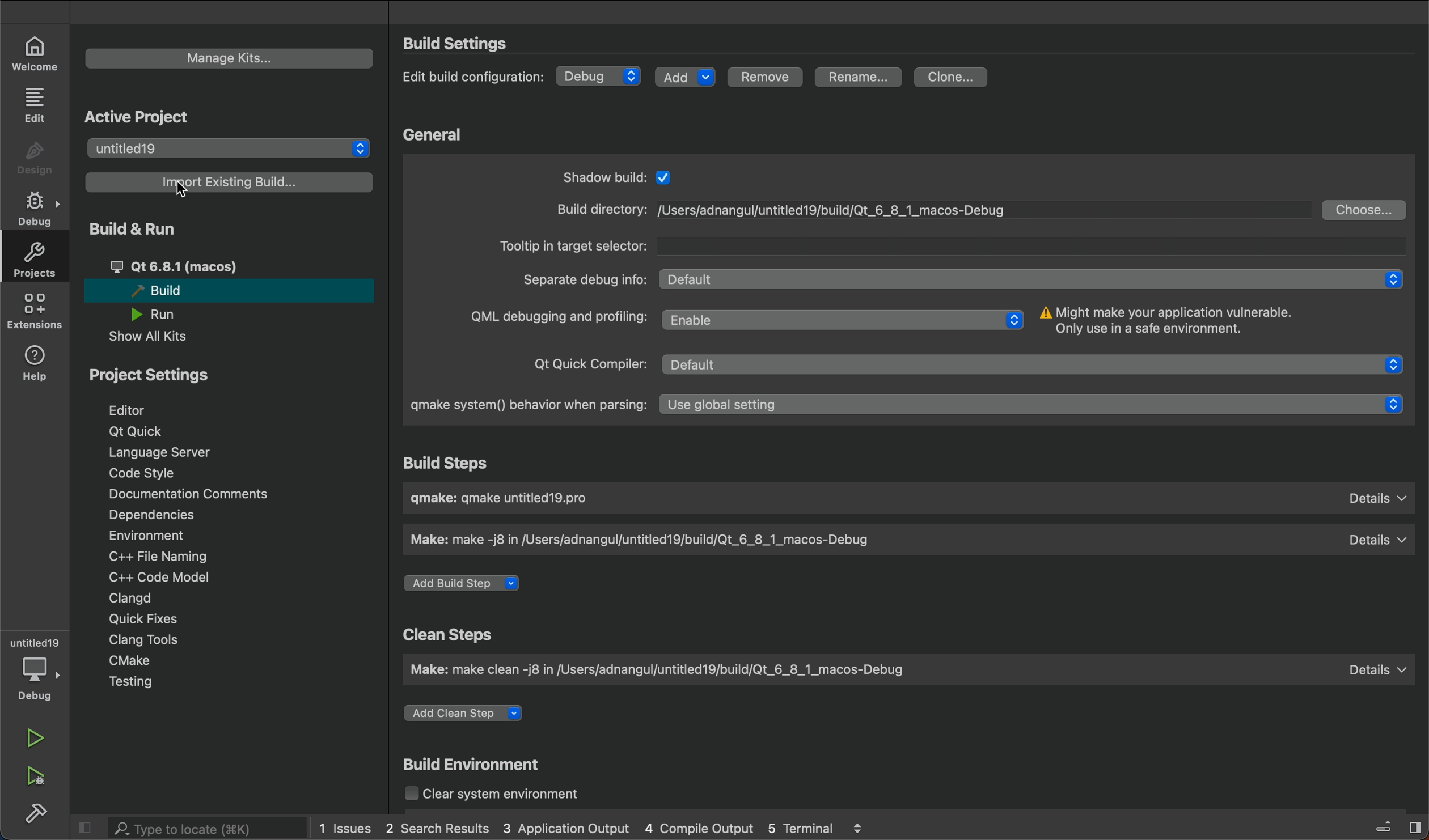 This screenshot has height=840, width=1429. Describe the element at coordinates (139, 432) in the screenshot. I see `qt quick` at that location.